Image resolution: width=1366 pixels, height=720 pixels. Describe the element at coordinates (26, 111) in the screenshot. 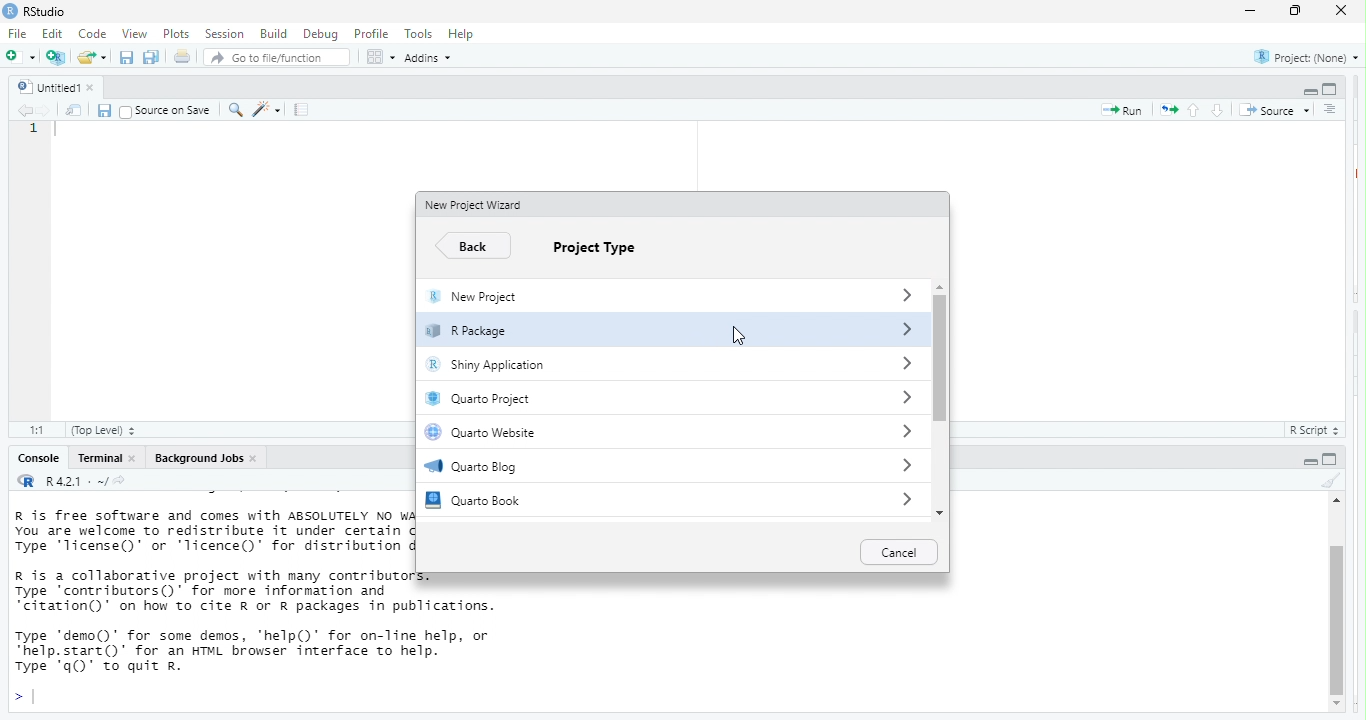

I see `go back to the previous source location` at that location.